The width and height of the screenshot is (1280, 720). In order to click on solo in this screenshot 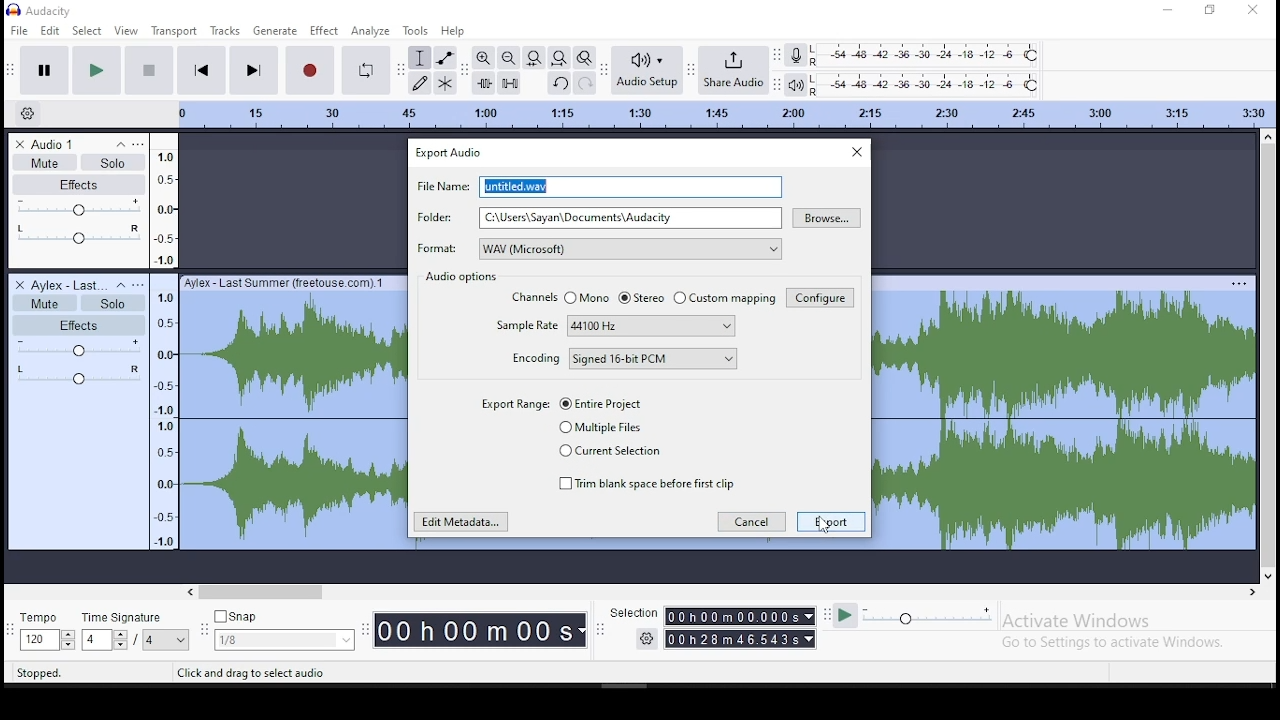, I will do `click(114, 302)`.